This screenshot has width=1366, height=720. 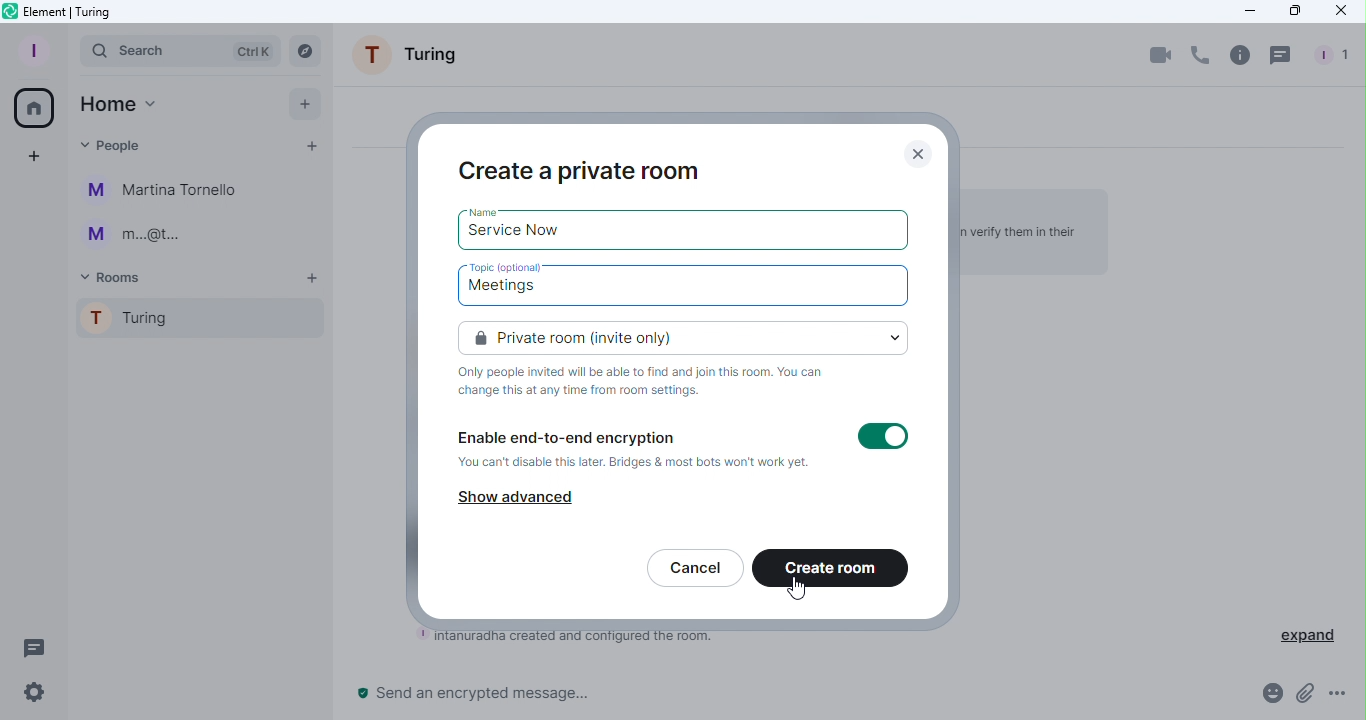 What do you see at coordinates (193, 322) in the screenshot?
I see `Turing` at bounding box center [193, 322].